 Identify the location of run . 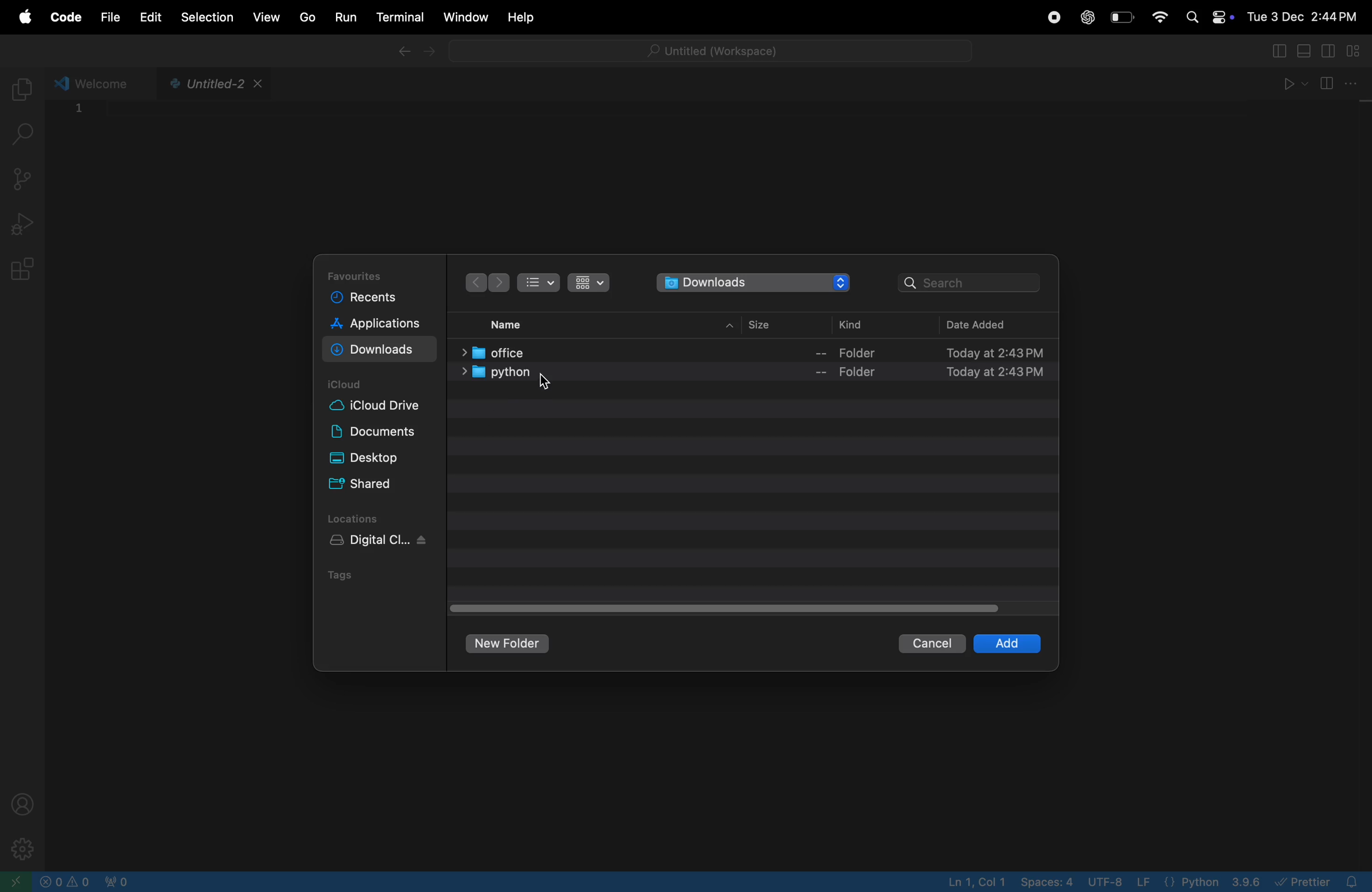
(1290, 82).